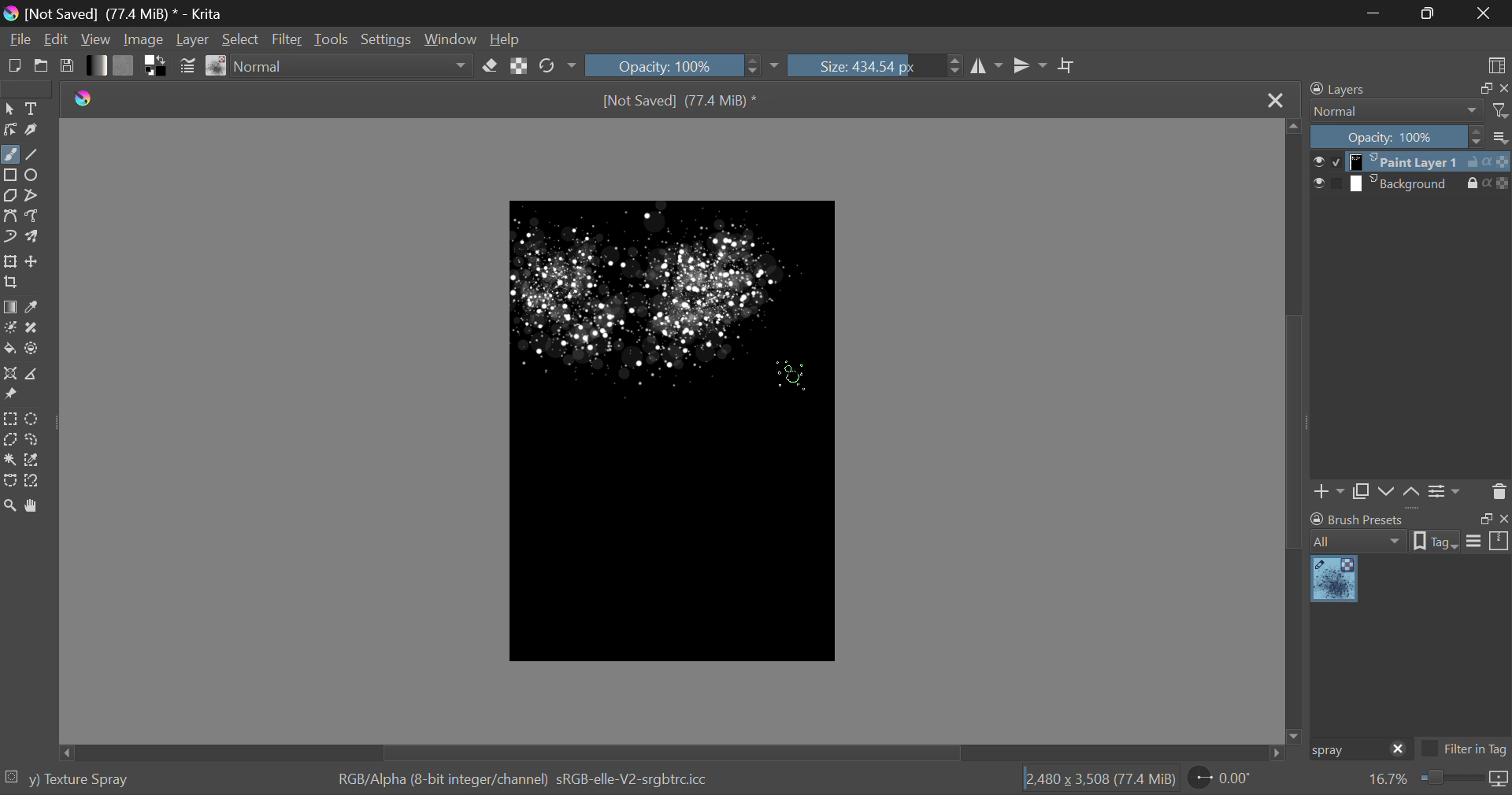 The height and width of the screenshot is (795, 1512). What do you see at coordinates (35, 107) in the screenshot?
I see `Text` at bounding box center [35, 107].